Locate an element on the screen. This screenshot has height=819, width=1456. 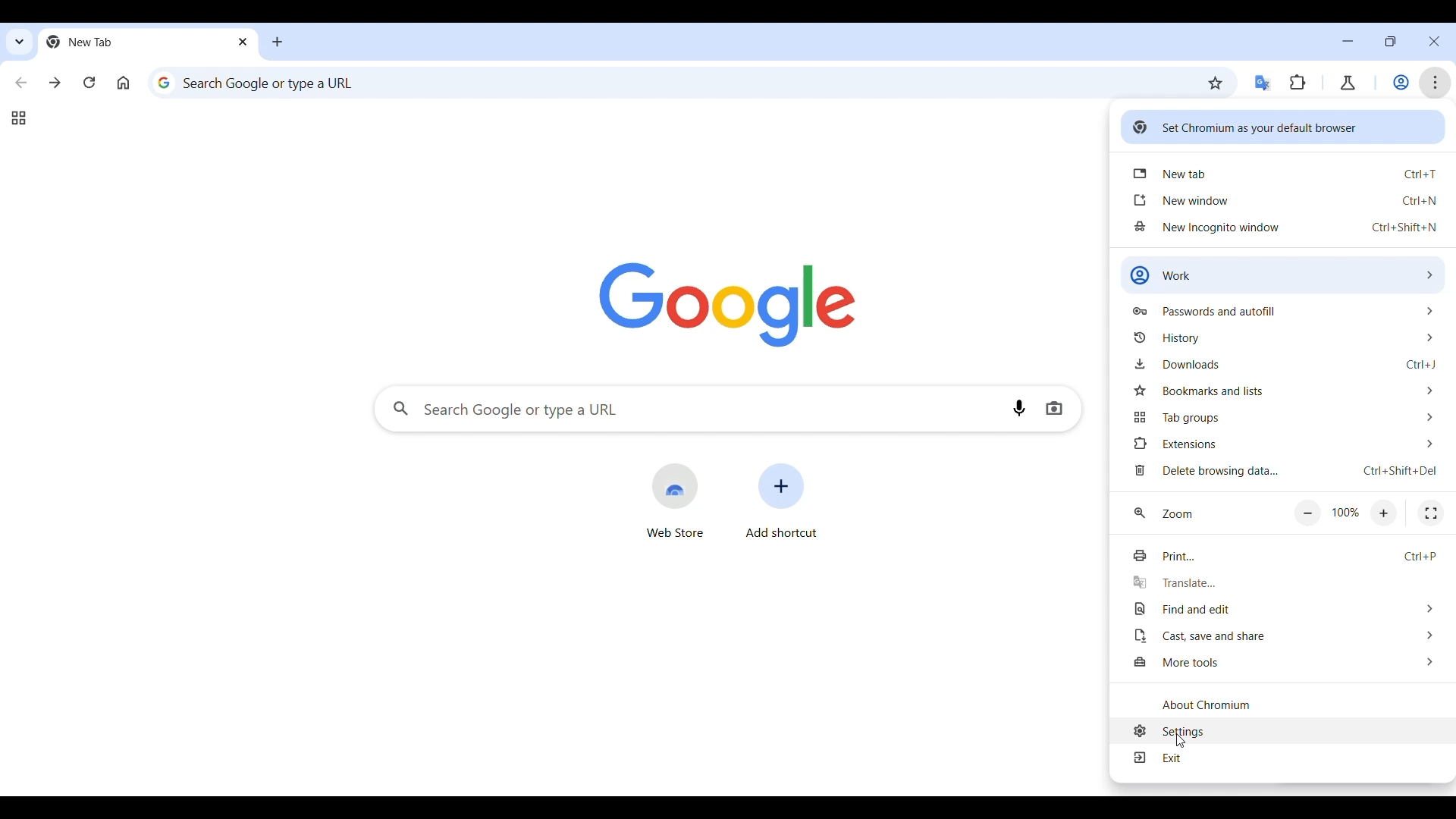
Zoom is located at coordinates (1184, 511).